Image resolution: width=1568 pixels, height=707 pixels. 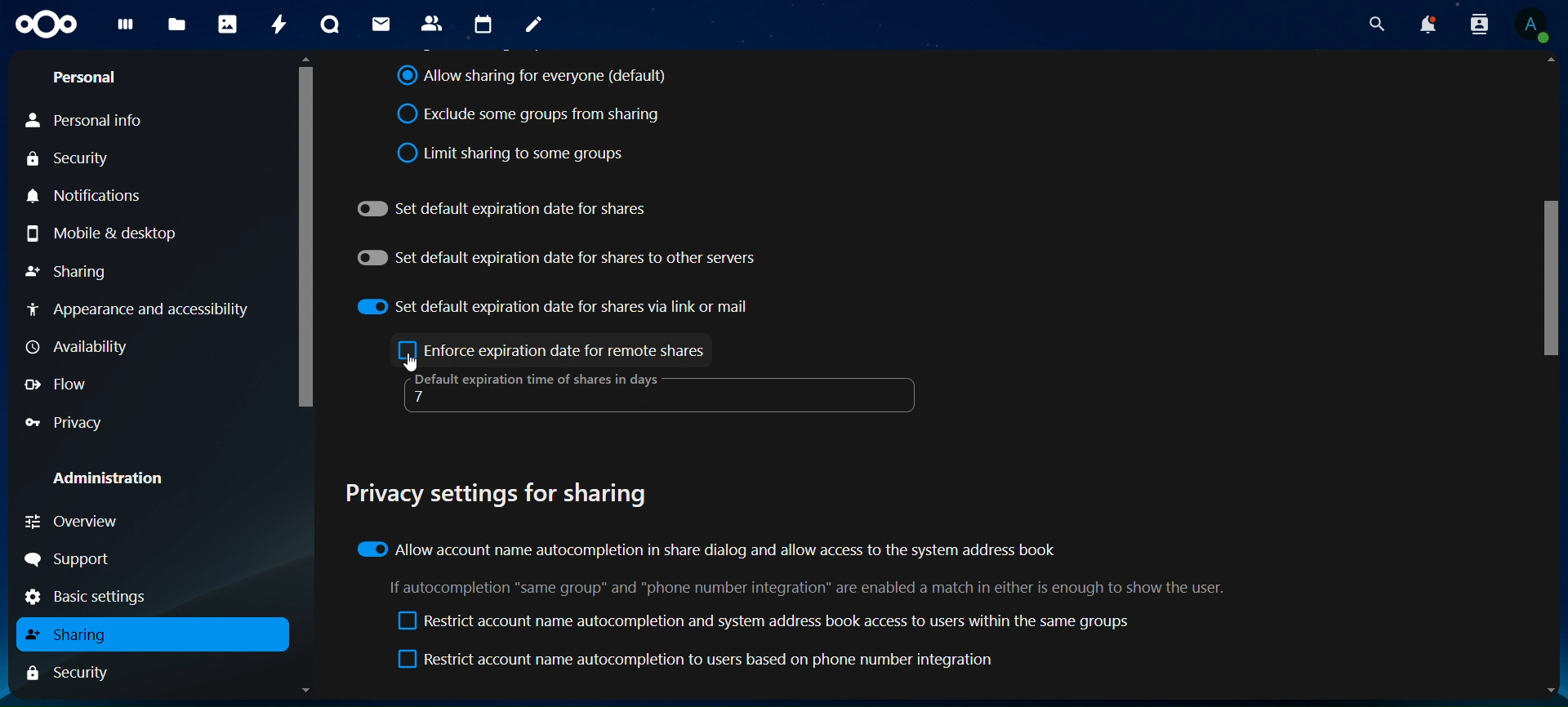 What do you see at coordinates (1429, 24) in the screenshot?
I see `notifications` at bounding box center [1429, 24].